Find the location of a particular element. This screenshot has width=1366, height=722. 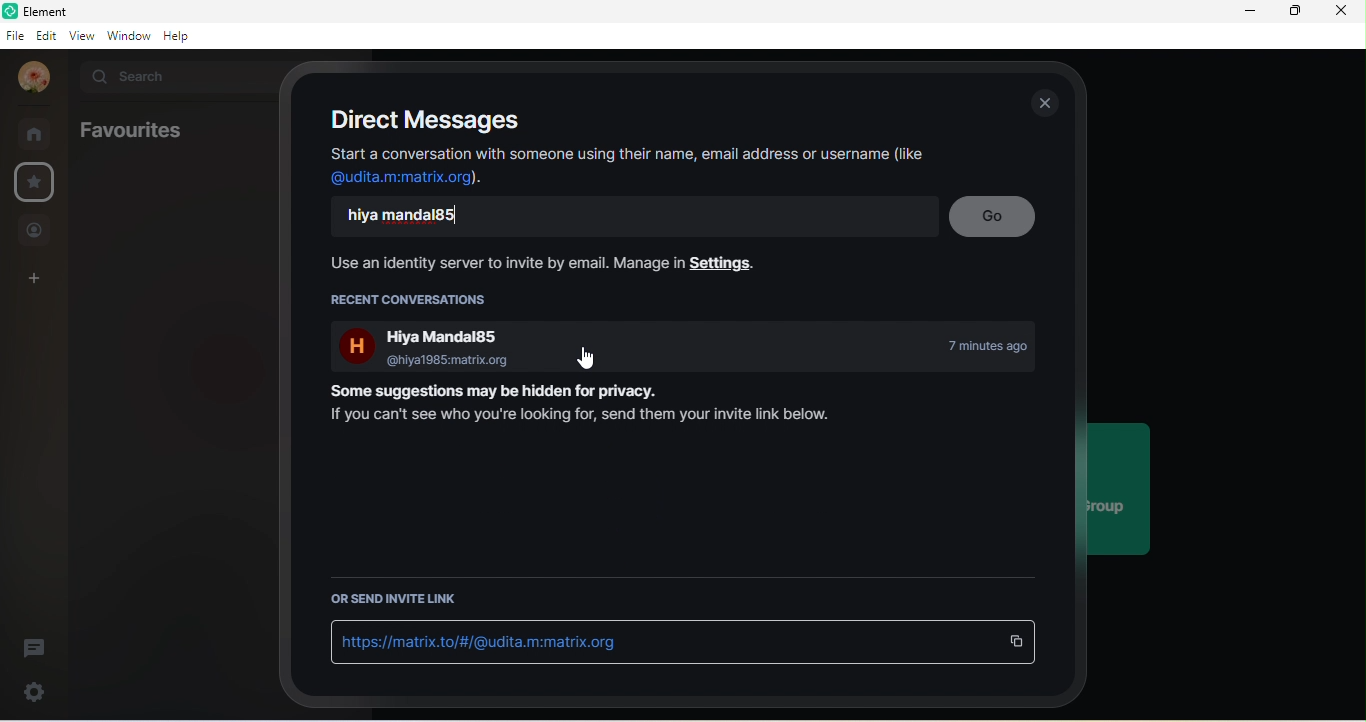

profile photo is located at coordinates (35, 78).